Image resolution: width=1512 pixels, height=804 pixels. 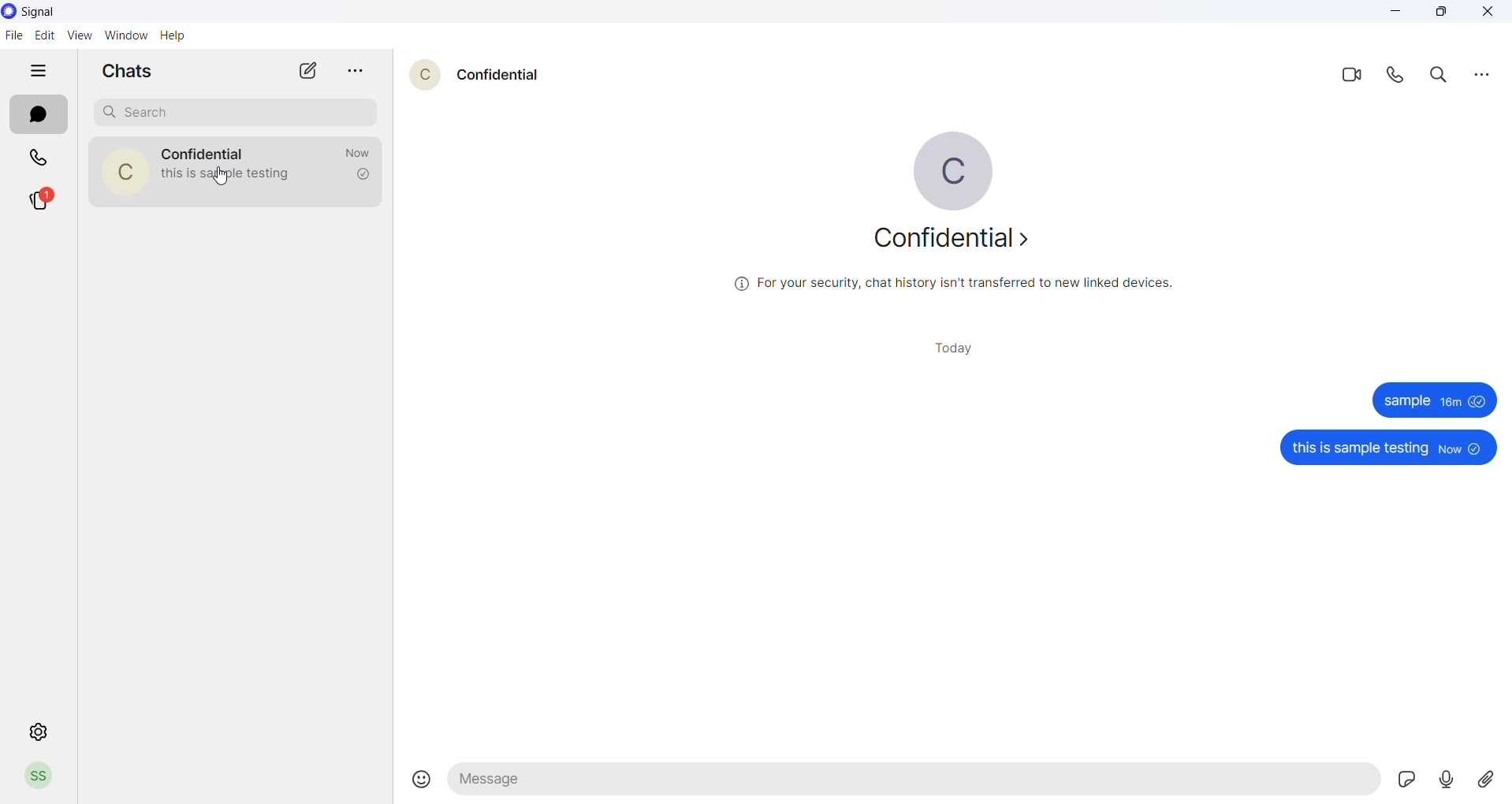 What do you see at coordinates (15, 35) in the screenshot?
I see `file` at bounding box center [15, 35].